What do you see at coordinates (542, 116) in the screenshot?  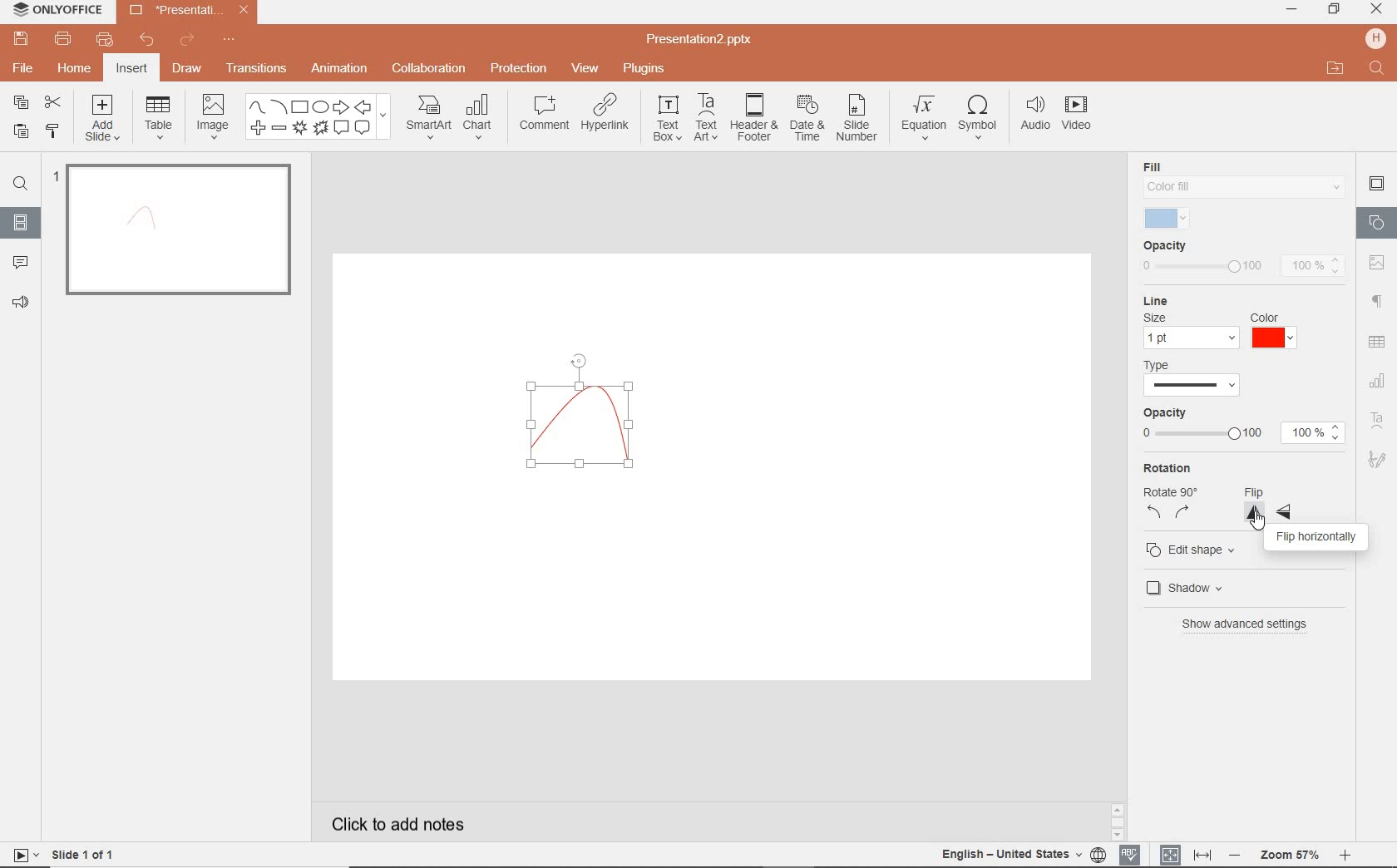 I see `COMMENT` at bounding box center [542, 116].